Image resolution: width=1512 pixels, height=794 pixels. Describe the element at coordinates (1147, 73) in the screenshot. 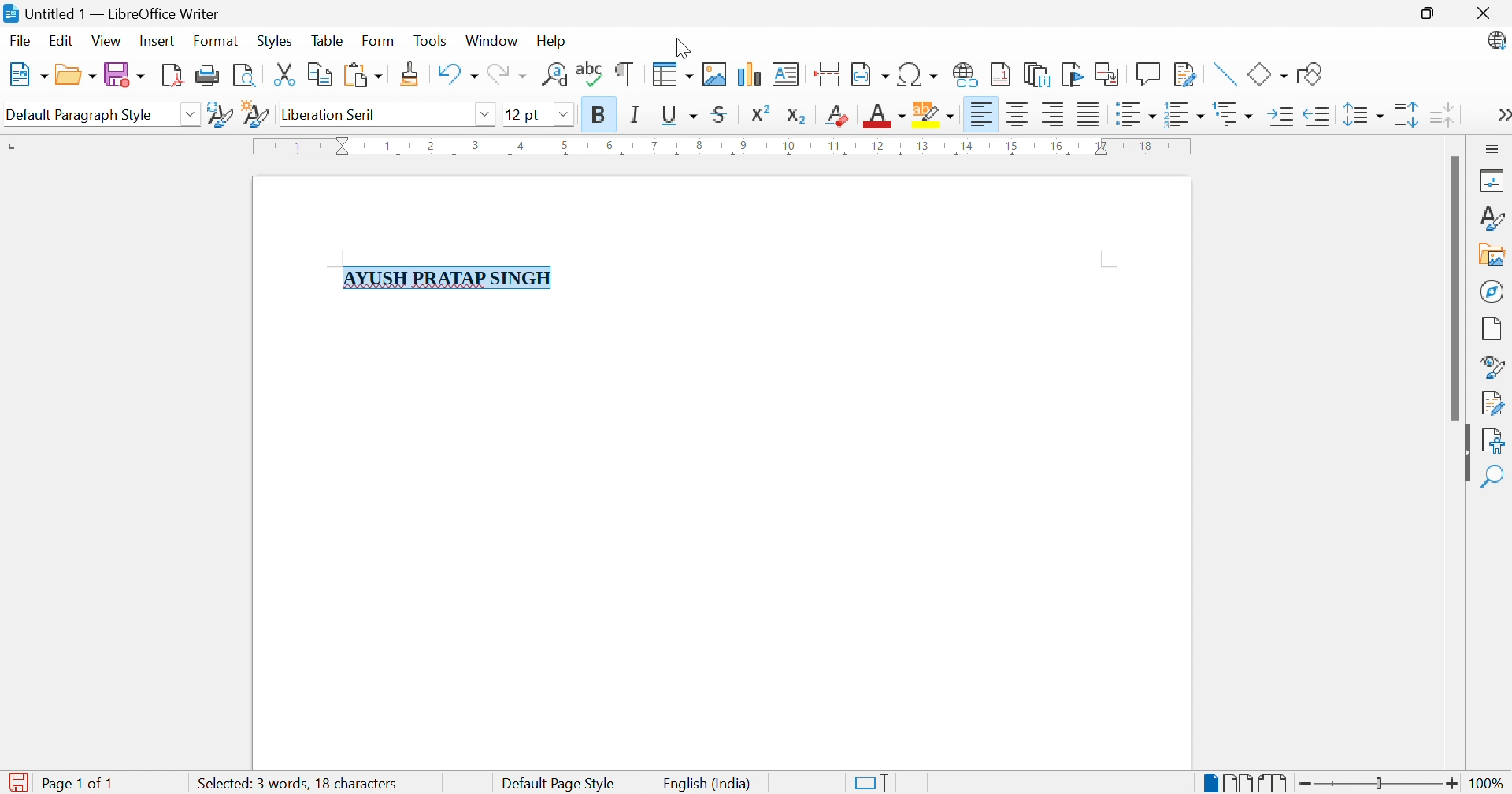

I see `Insert Comment` at that location.